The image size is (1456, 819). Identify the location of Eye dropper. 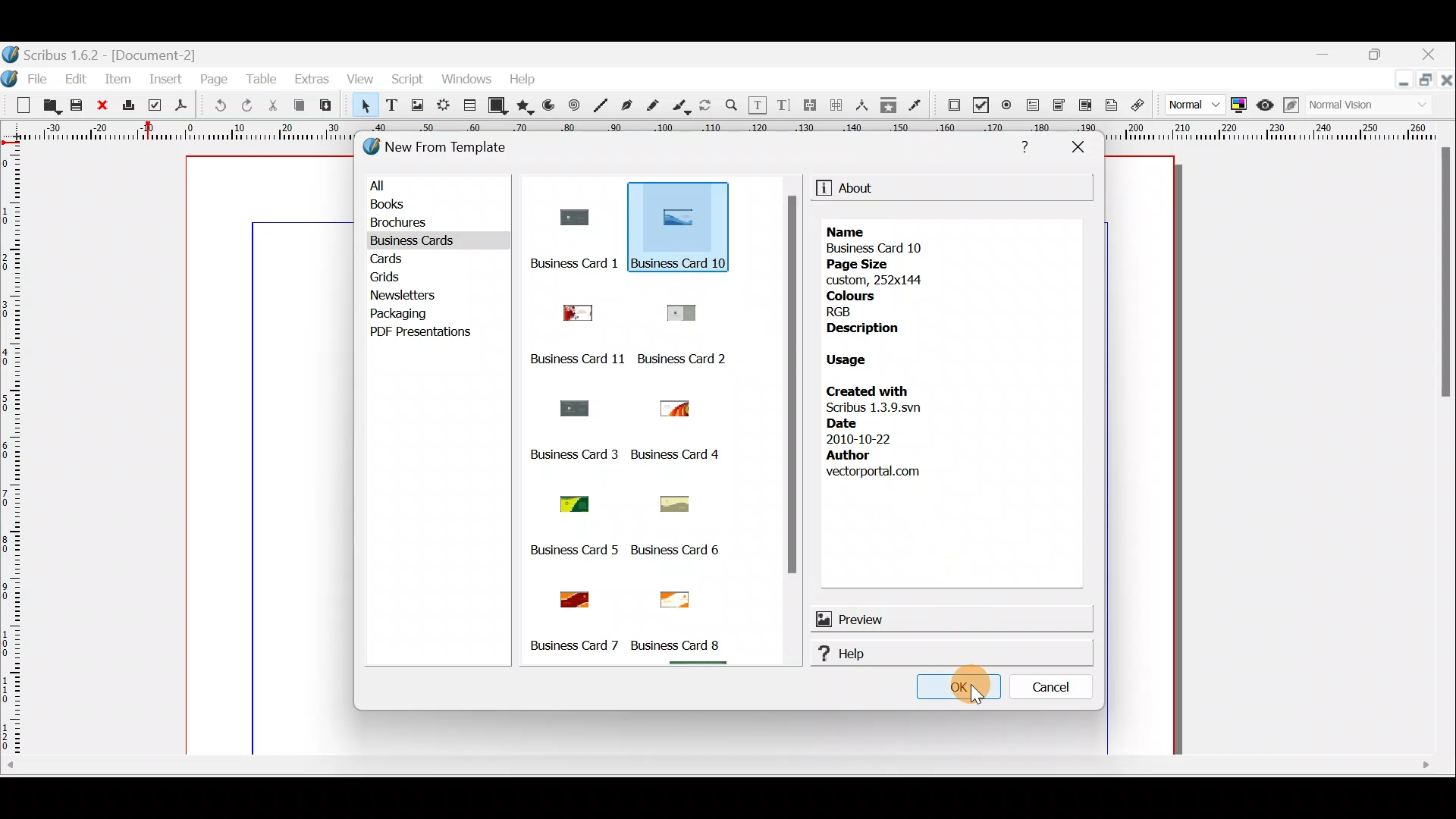
(918, 104).